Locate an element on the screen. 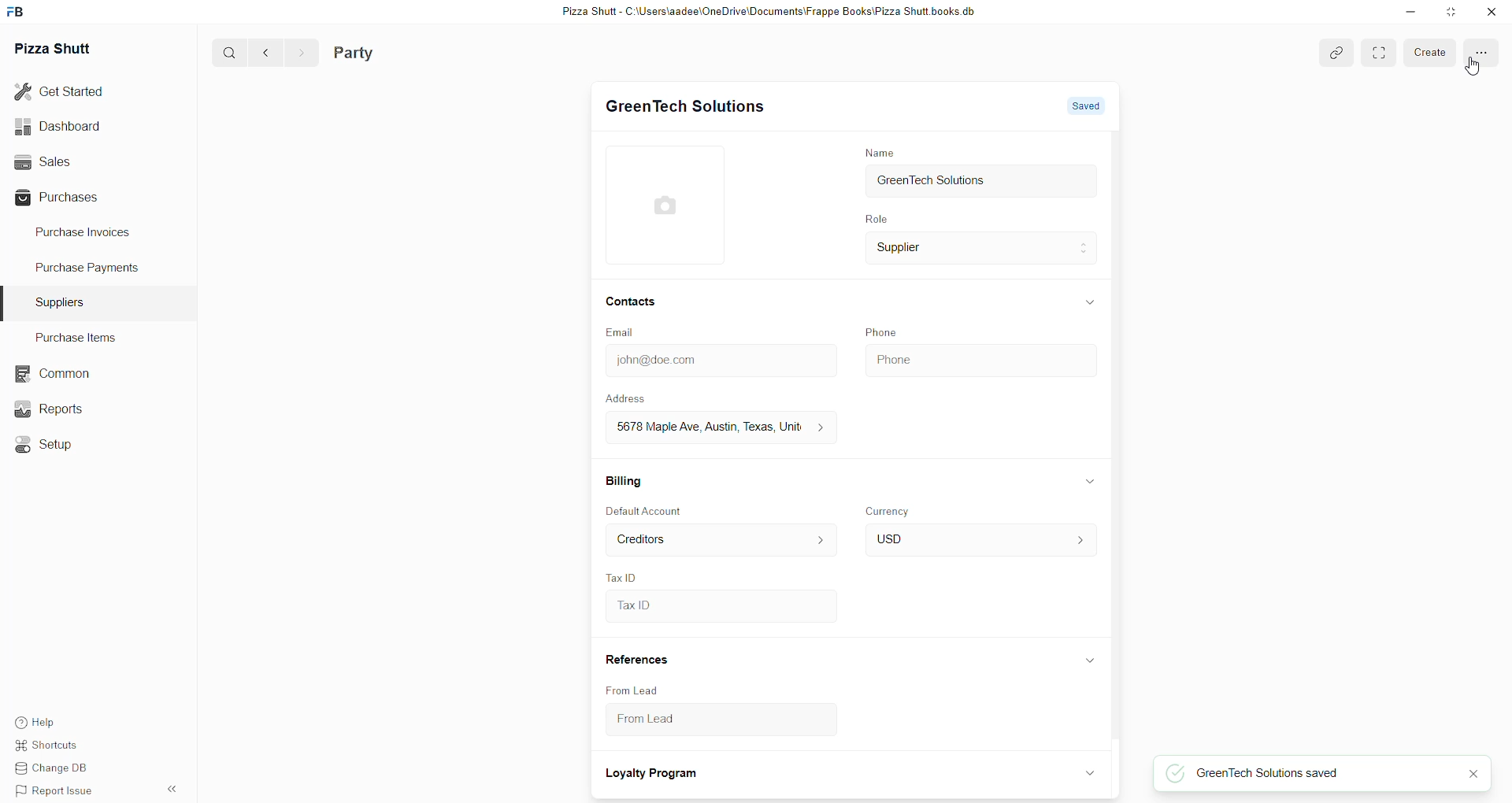 The image size is (1512, 803). hide is located at coordinates (1091, 481).